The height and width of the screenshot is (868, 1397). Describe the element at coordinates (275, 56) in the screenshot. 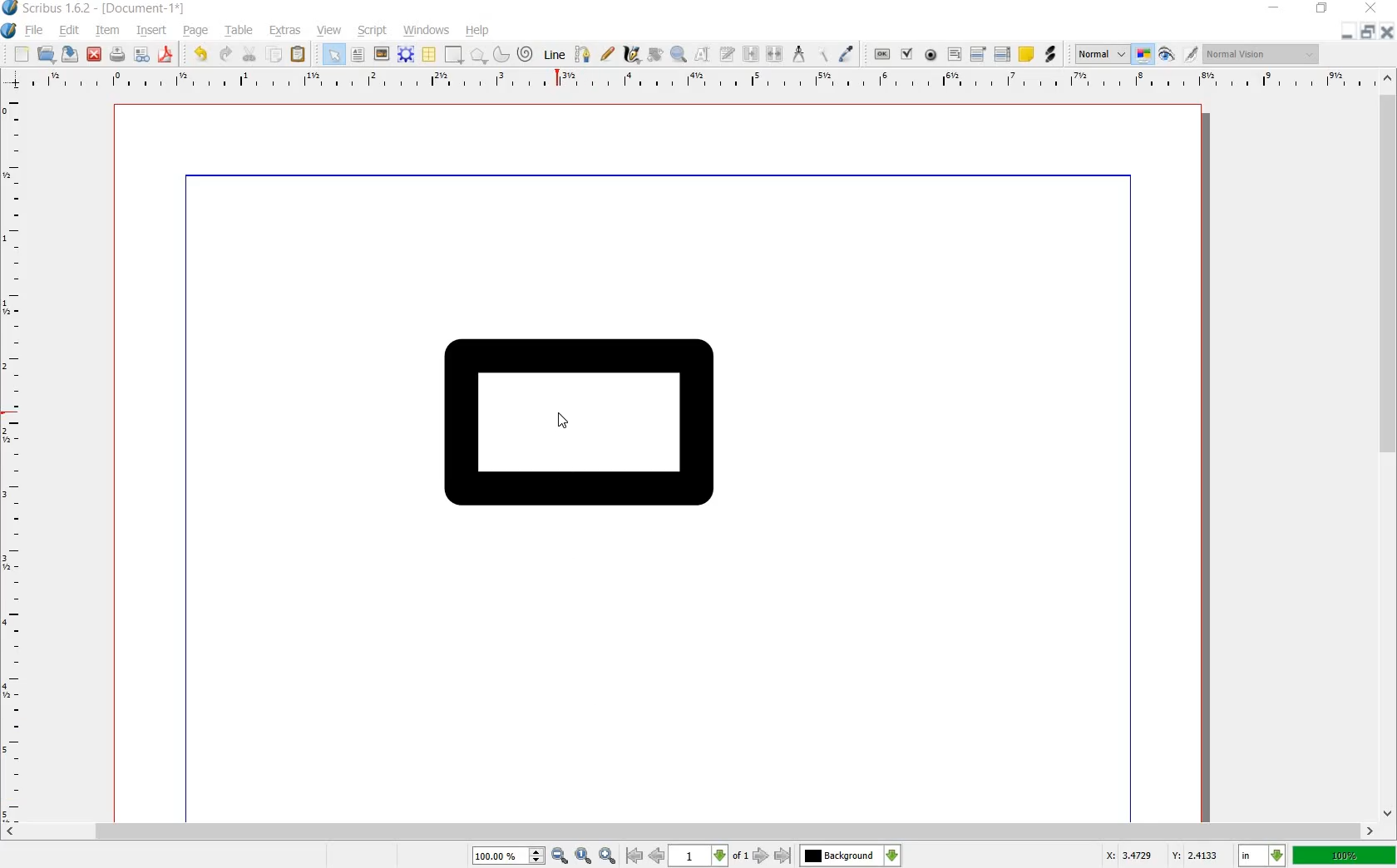

I see `copy` at that location.